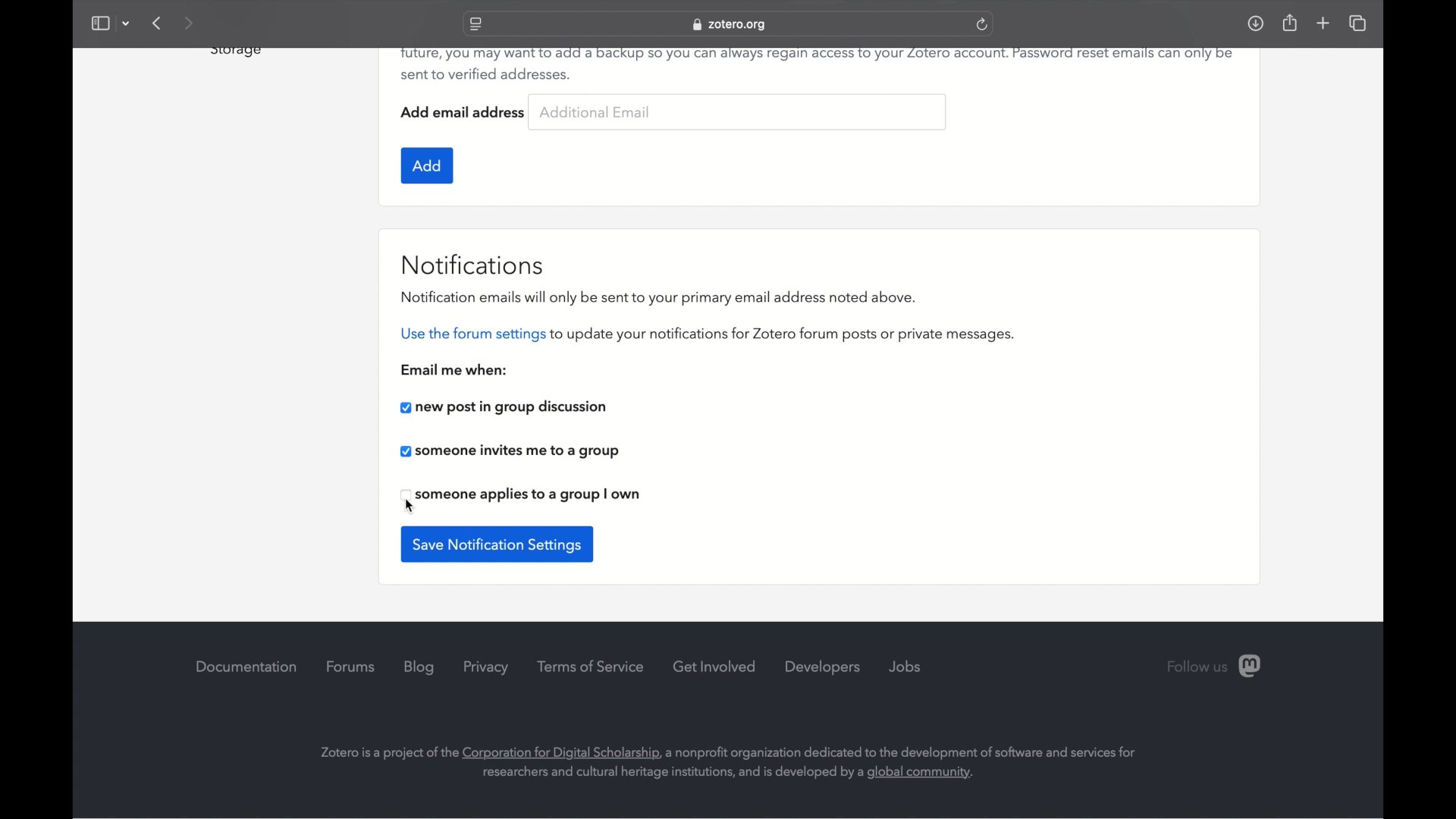 This screenshot has width=1456, height=819. I want to click on documentation, so click(246, 666).